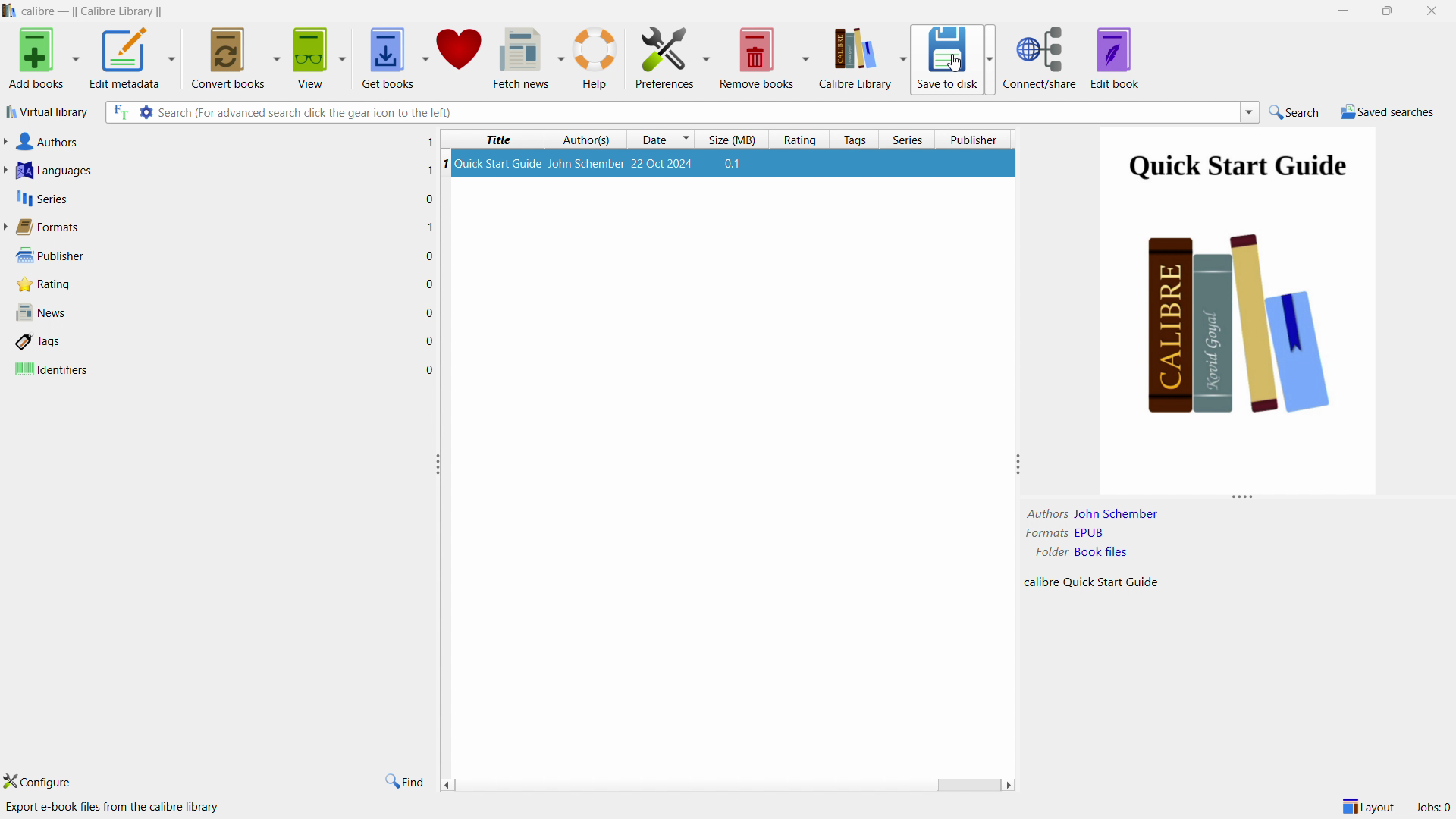  What do you see at coordinates (1429, 10) in the screenshot?
I see `close` at bounding box center [1429, 10].